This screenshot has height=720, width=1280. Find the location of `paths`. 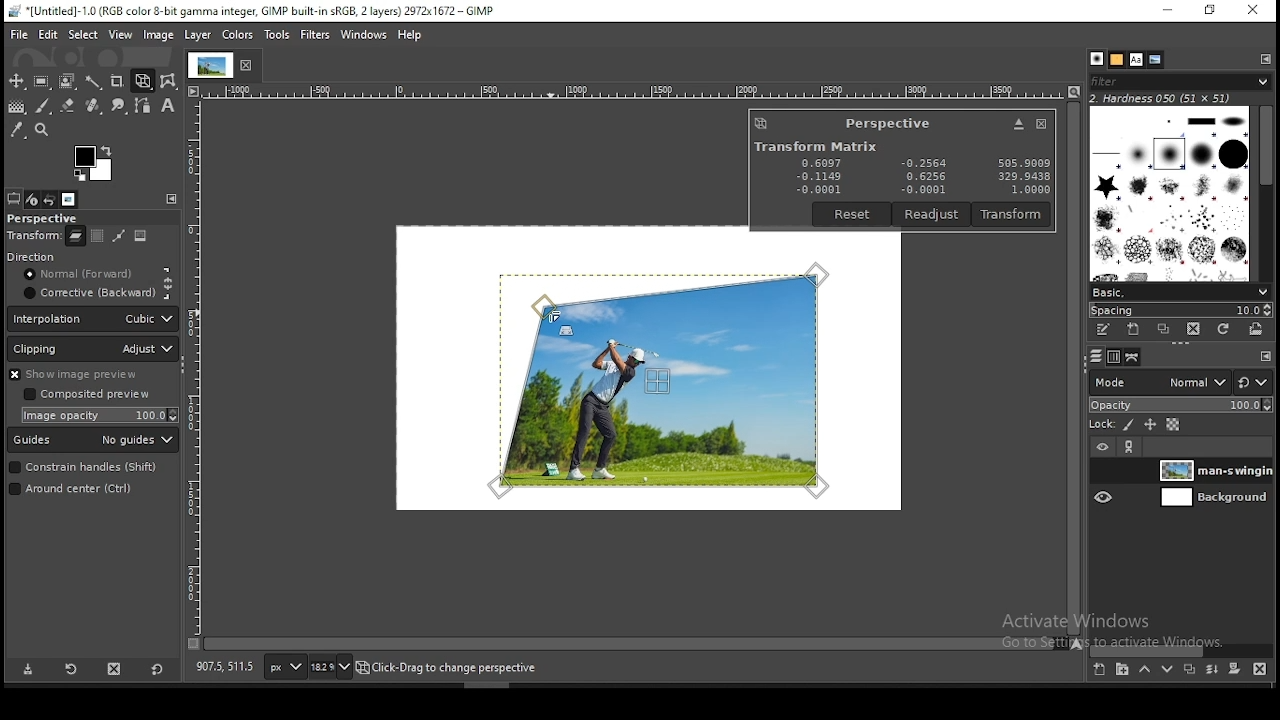

paths is located at coordinates (1133, 358).